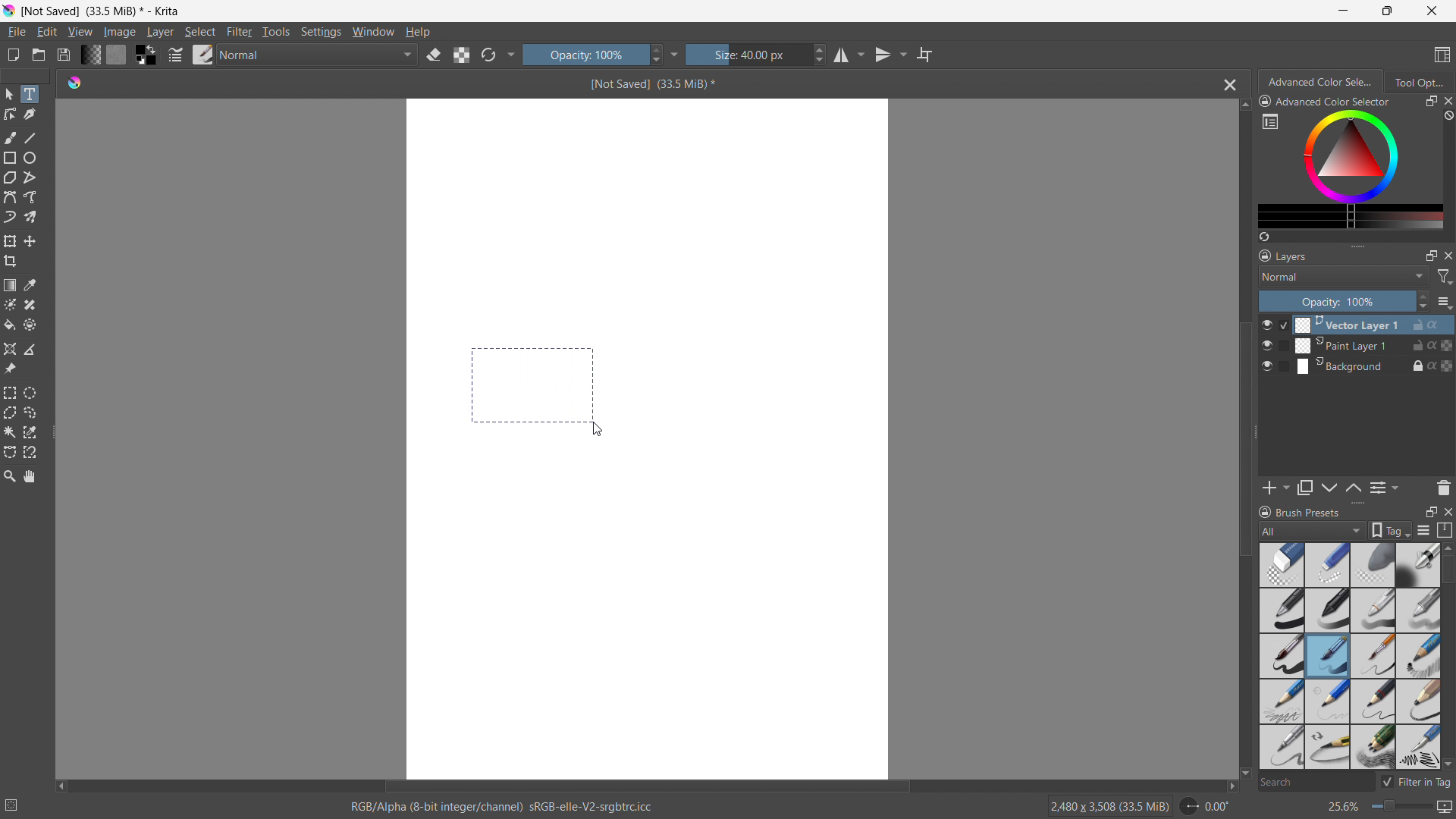  Describe the element at coordinates (30, 305) in the screenshot. I see `smart patch tool` at that location.